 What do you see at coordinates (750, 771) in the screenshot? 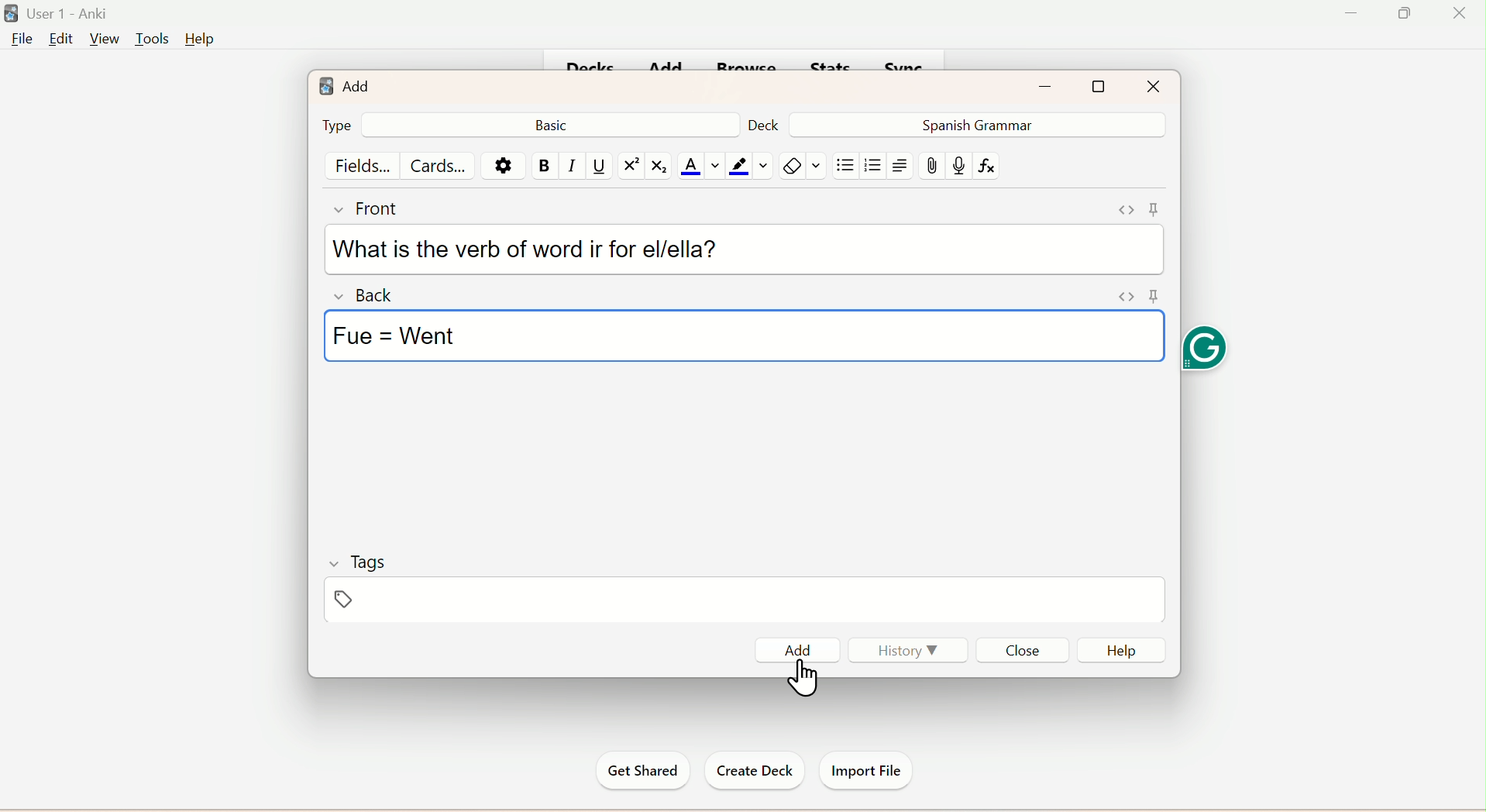
I see `Create Deck` at bounding box center [750, 771].